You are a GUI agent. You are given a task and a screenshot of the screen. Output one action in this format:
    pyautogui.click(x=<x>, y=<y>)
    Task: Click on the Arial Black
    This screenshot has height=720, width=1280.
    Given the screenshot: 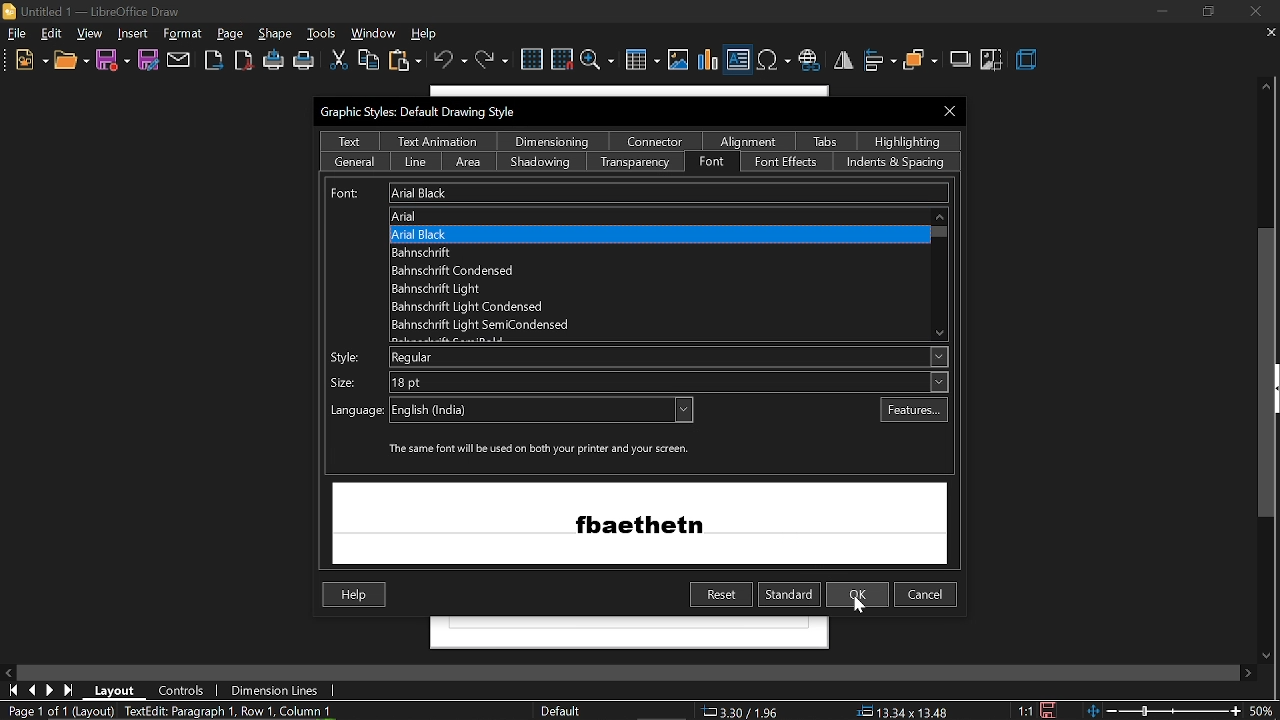 What is the action you would take?
    pyautogui.click(x=458, y=233)
    